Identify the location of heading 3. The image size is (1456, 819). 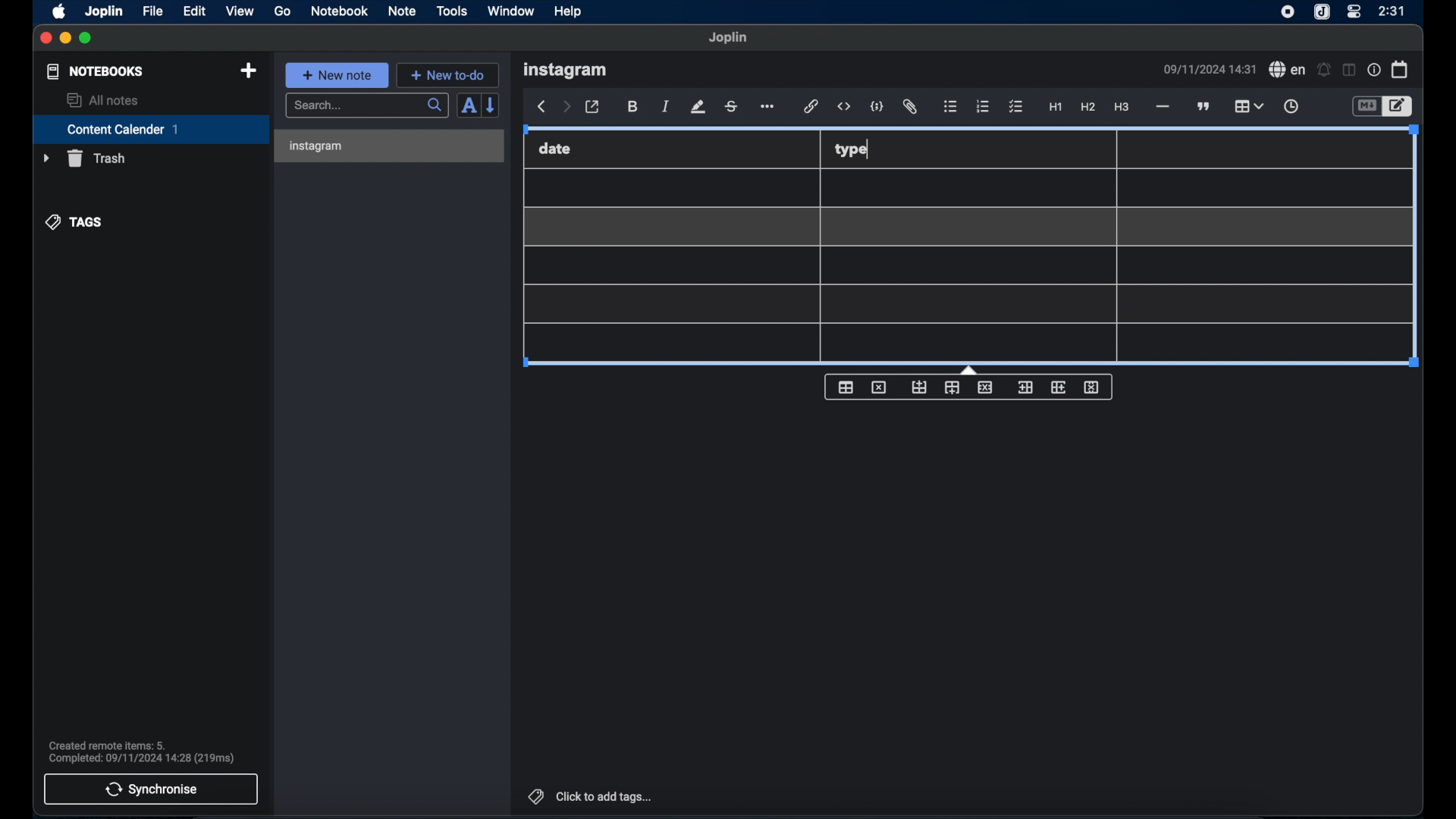
(1122, 108).